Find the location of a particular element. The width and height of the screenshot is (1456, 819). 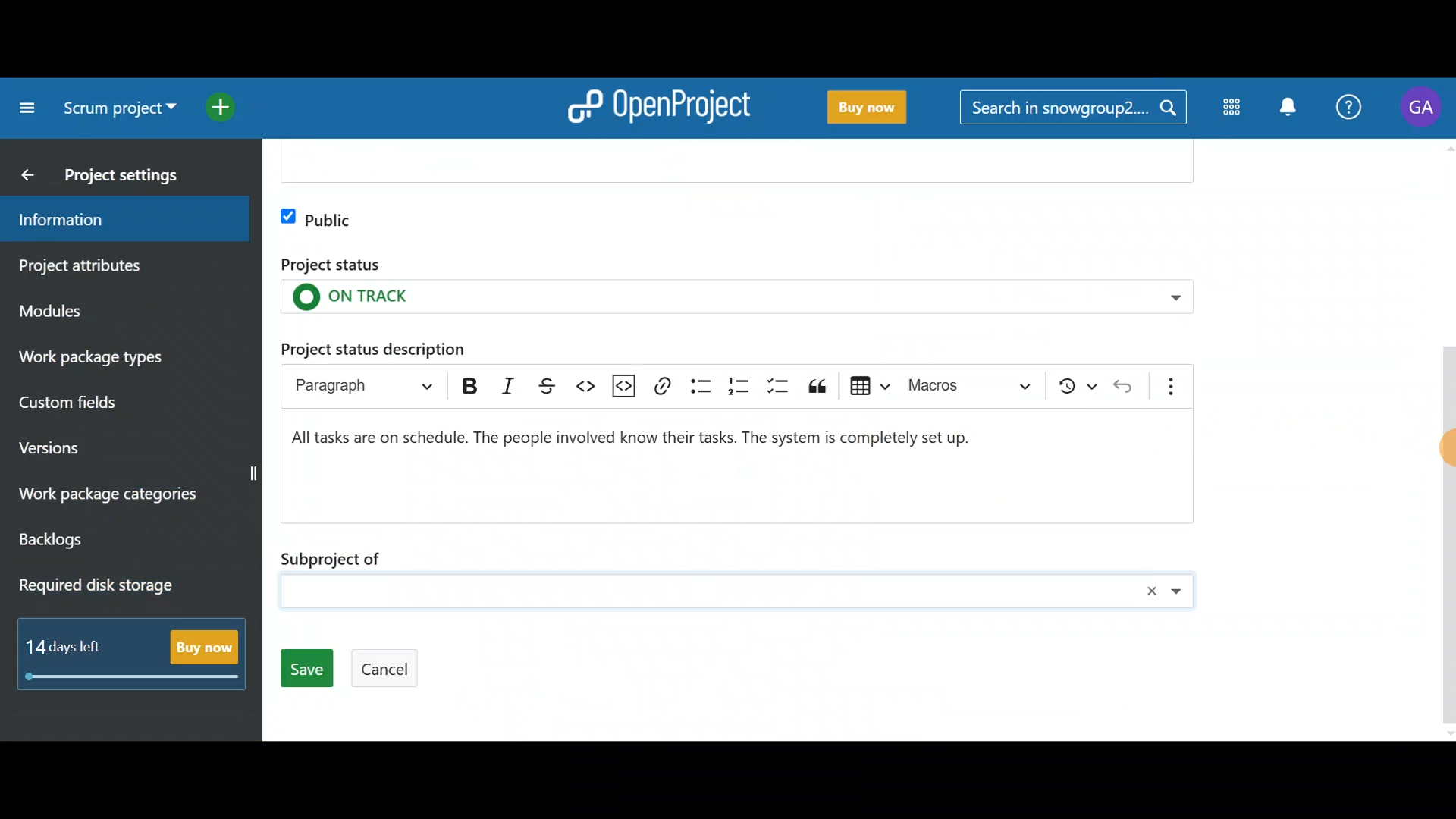

Project attributes is located at coordinates (108, 265).